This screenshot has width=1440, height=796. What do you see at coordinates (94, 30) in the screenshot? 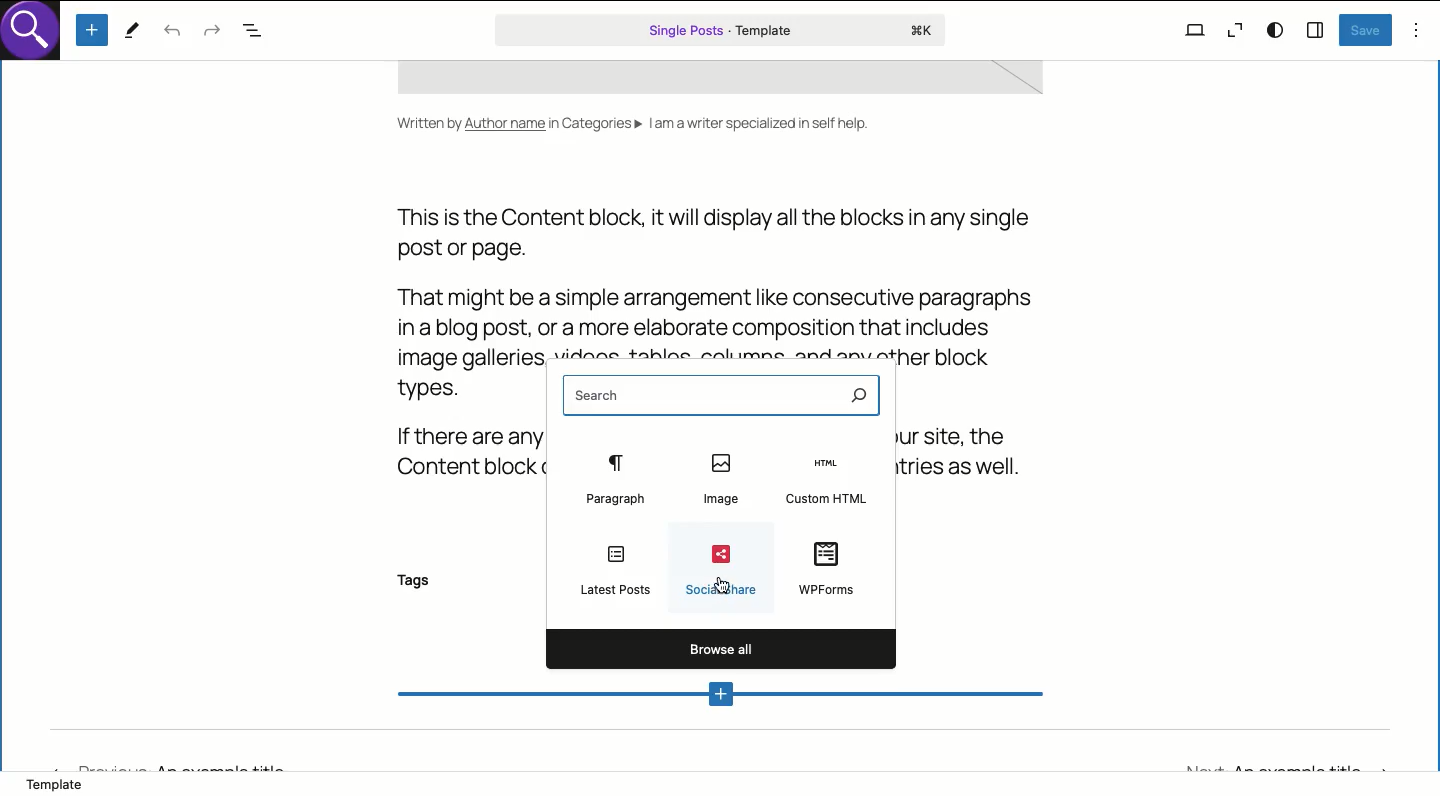
I see `Add new block` at bounding box center [94, 30].